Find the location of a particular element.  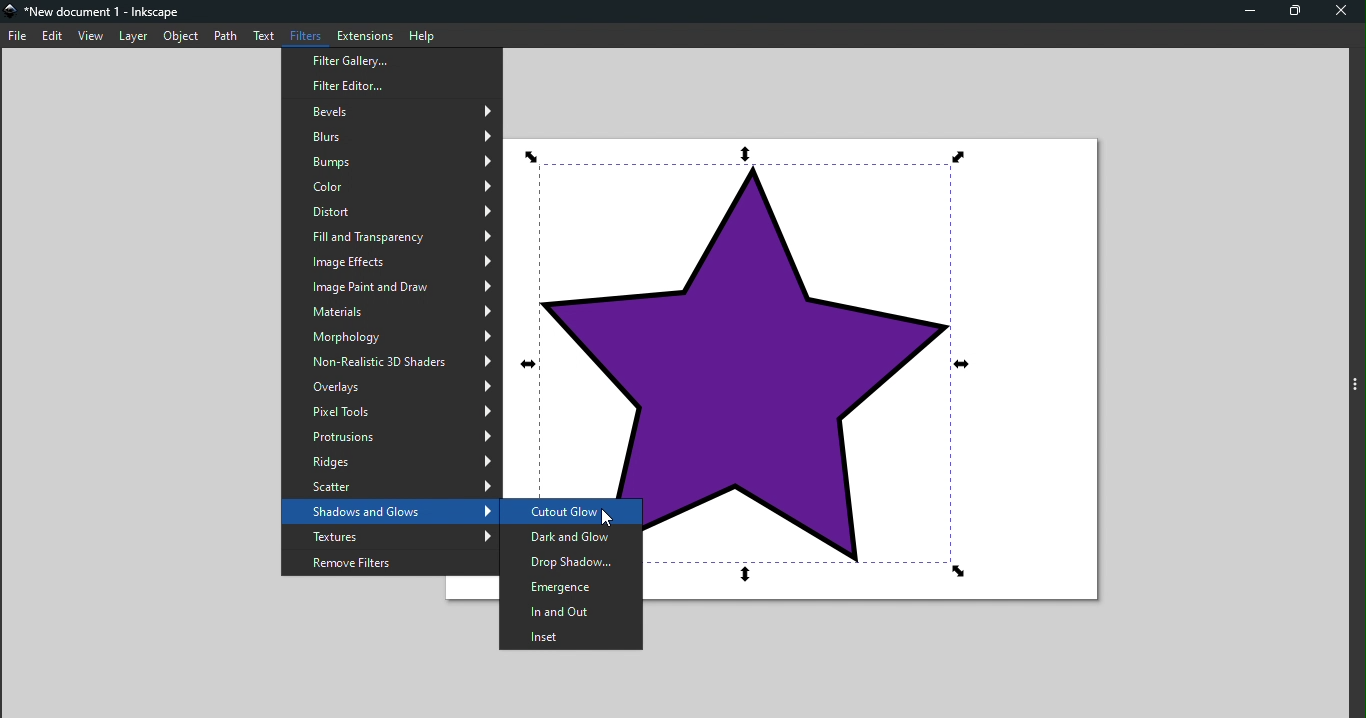

Textures is located at coordinates (391, 537).